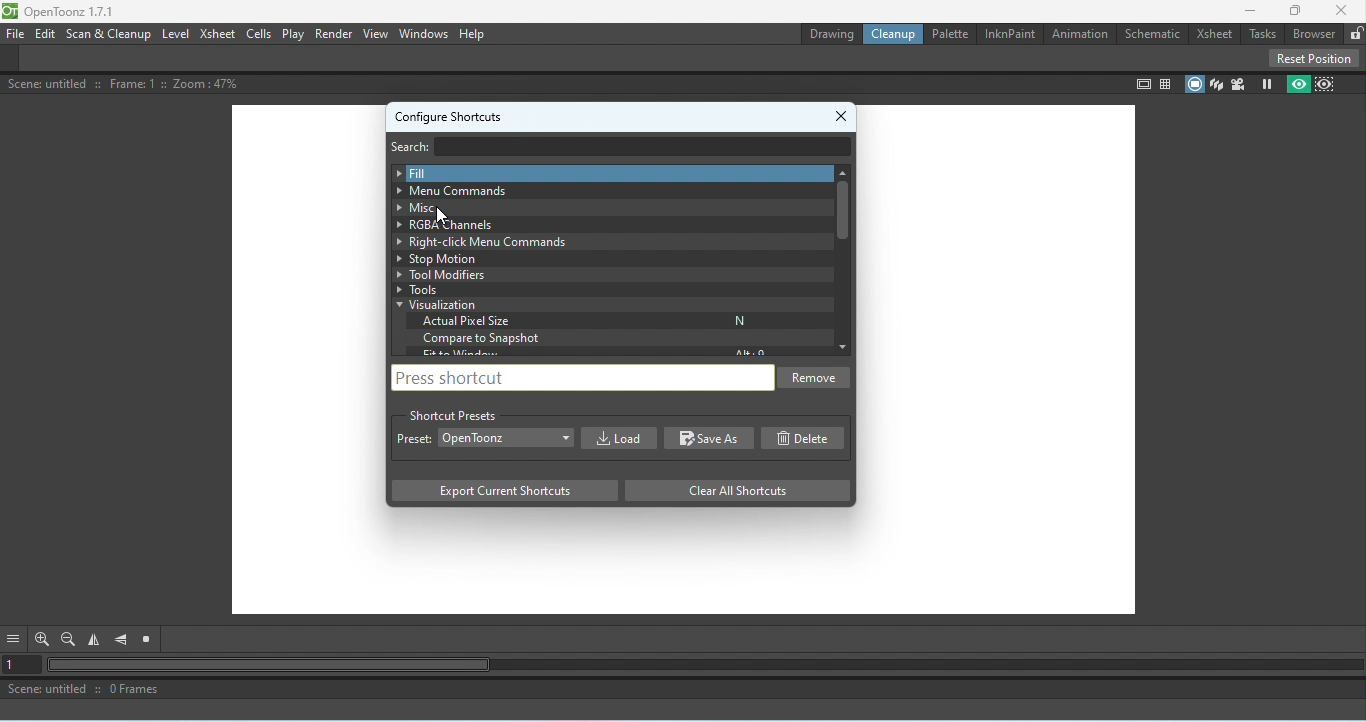  What do you see at coordinates (683, 691) in the screenshot?
I see `Scene: untitled :: 0 Frames` at bounding box center [683, 691].